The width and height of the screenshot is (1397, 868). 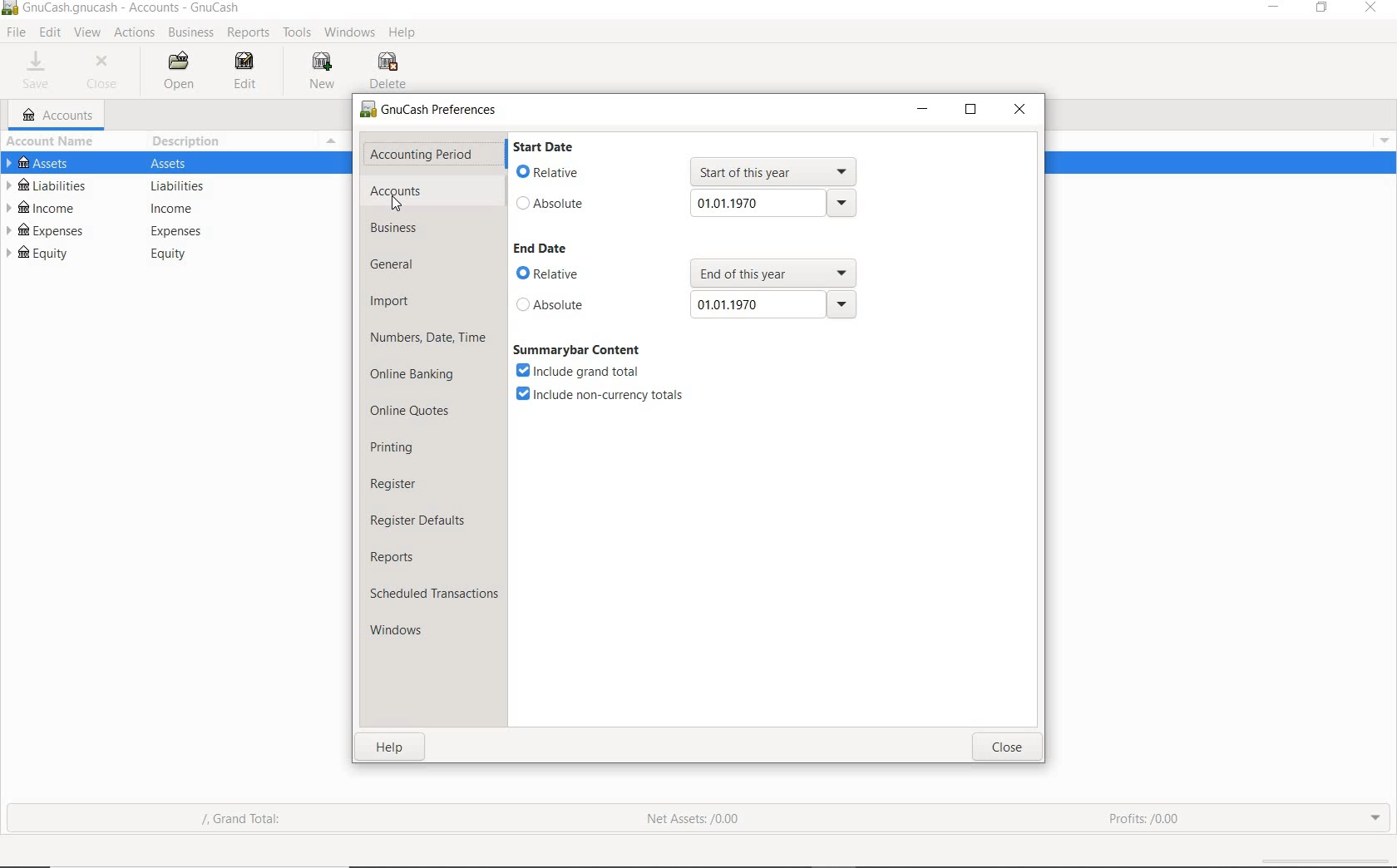 I want to click on EQUITY, so click(x=39, y=255).